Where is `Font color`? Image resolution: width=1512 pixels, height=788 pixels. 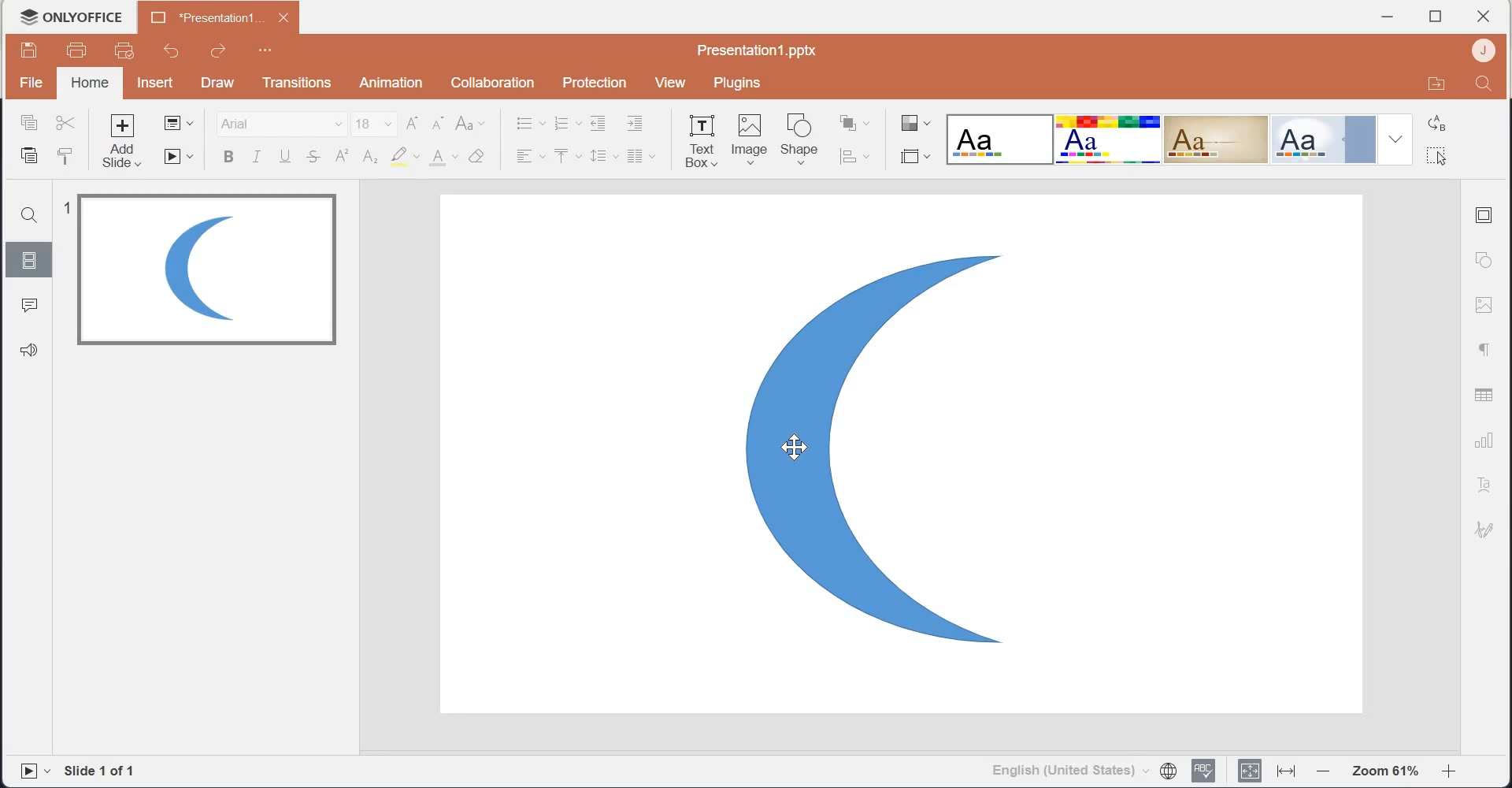 Font color is located at coordinates (444, 156).